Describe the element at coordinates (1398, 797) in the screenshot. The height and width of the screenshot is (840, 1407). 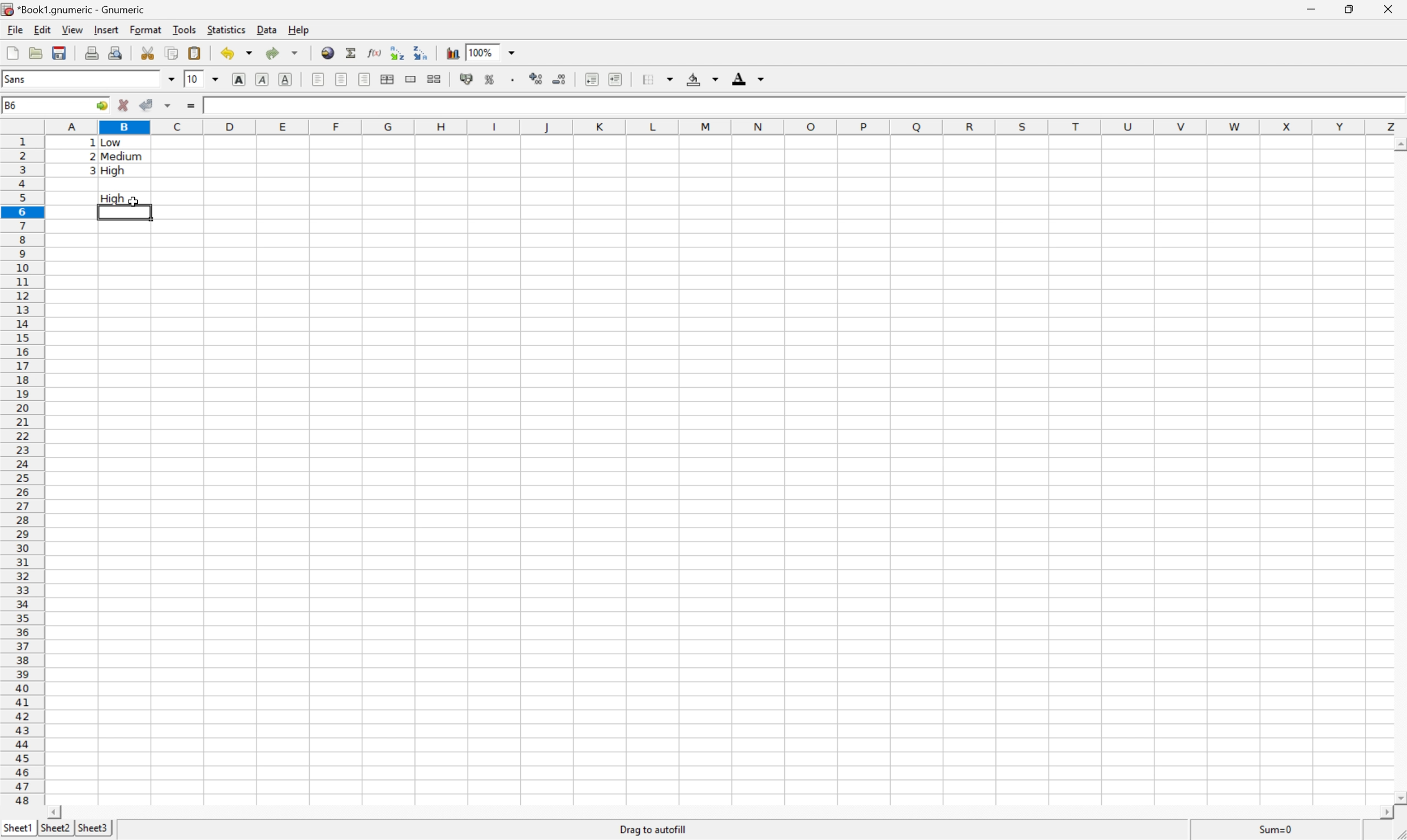
I see `Scroll Down` at that location.